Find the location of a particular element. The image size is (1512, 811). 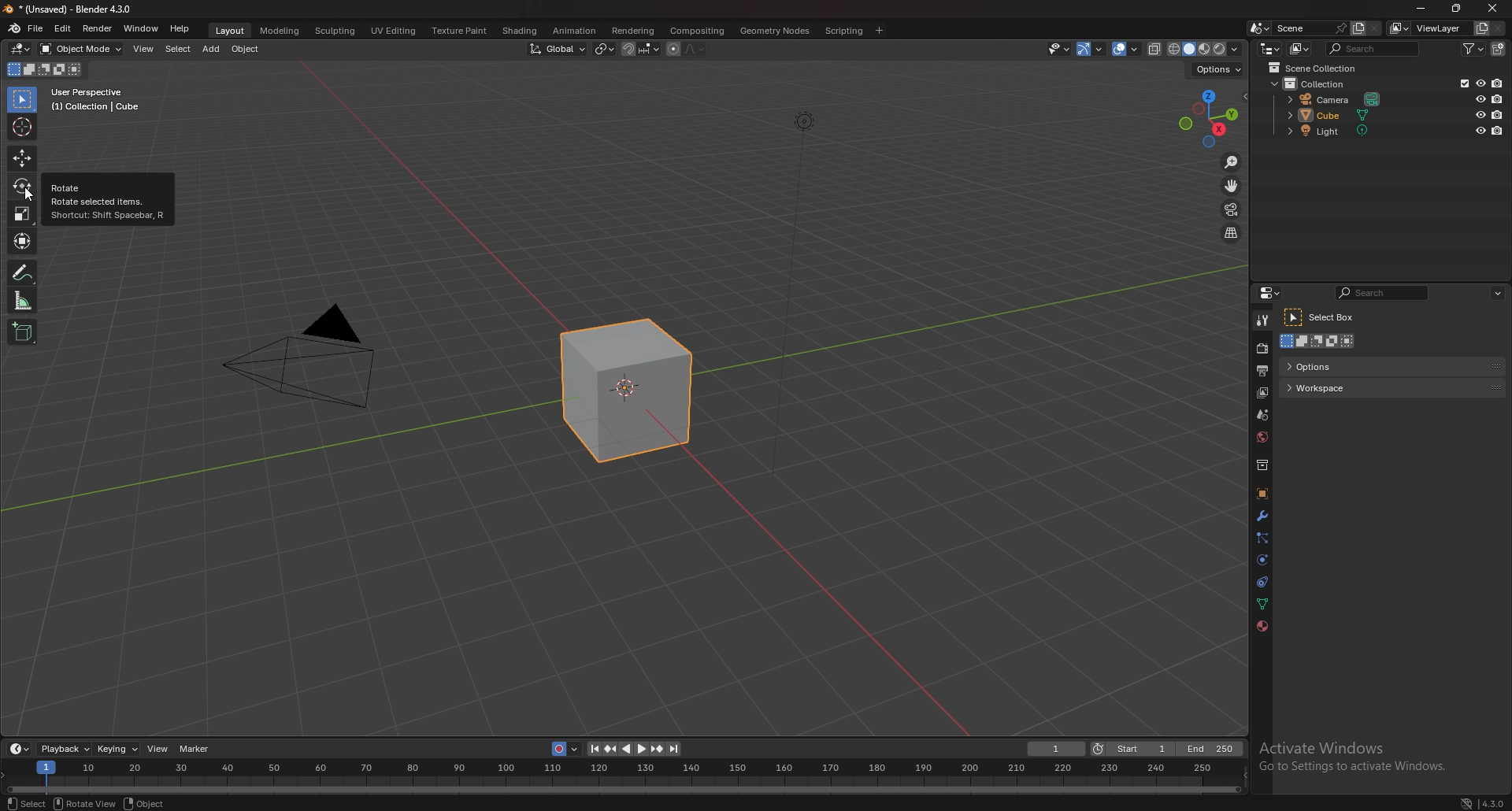

remove view layer is located at coordinates (1499, 28).